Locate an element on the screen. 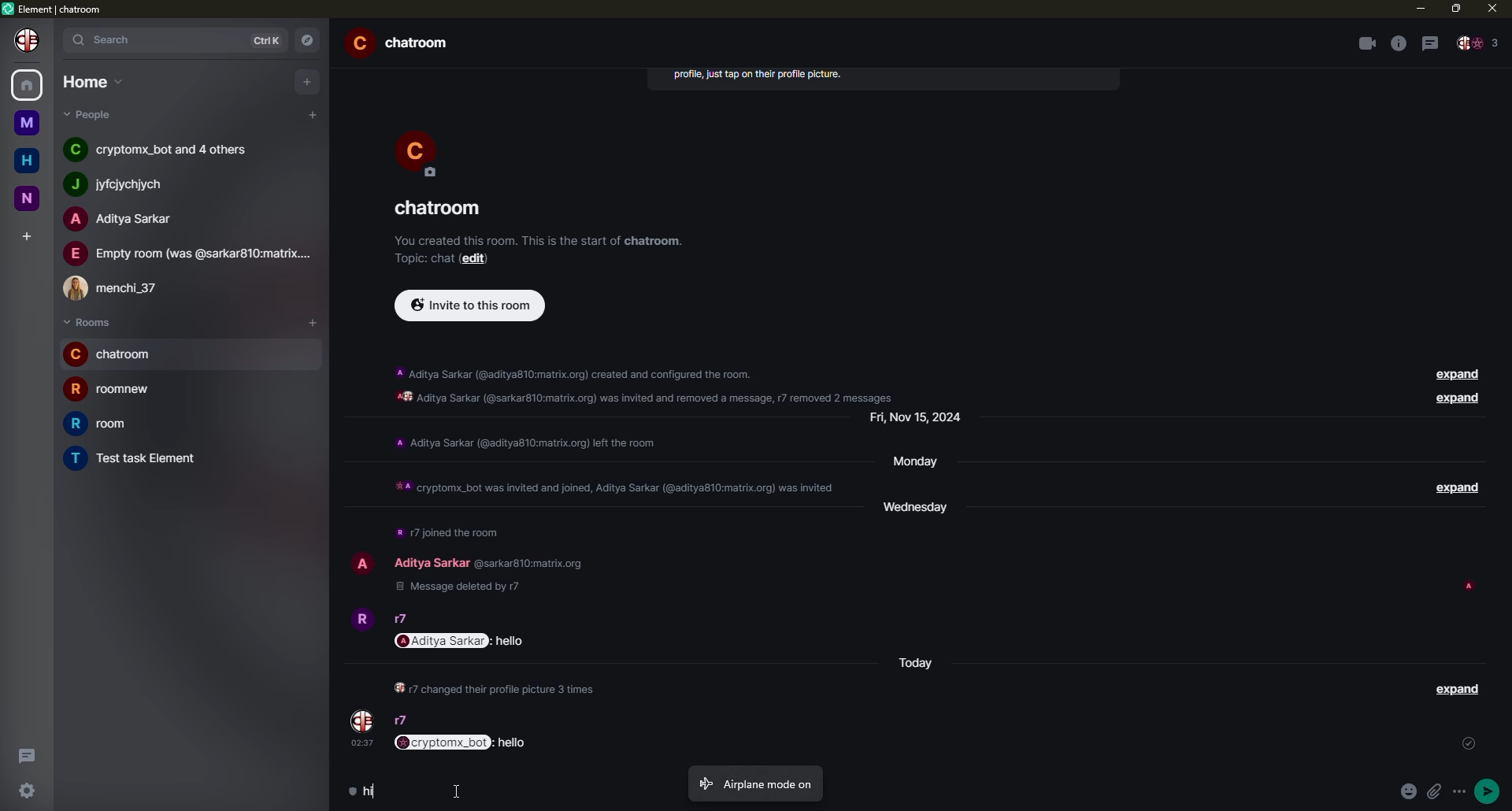 The image size is (1512, 811). send is located at coordinates (1489, 791).